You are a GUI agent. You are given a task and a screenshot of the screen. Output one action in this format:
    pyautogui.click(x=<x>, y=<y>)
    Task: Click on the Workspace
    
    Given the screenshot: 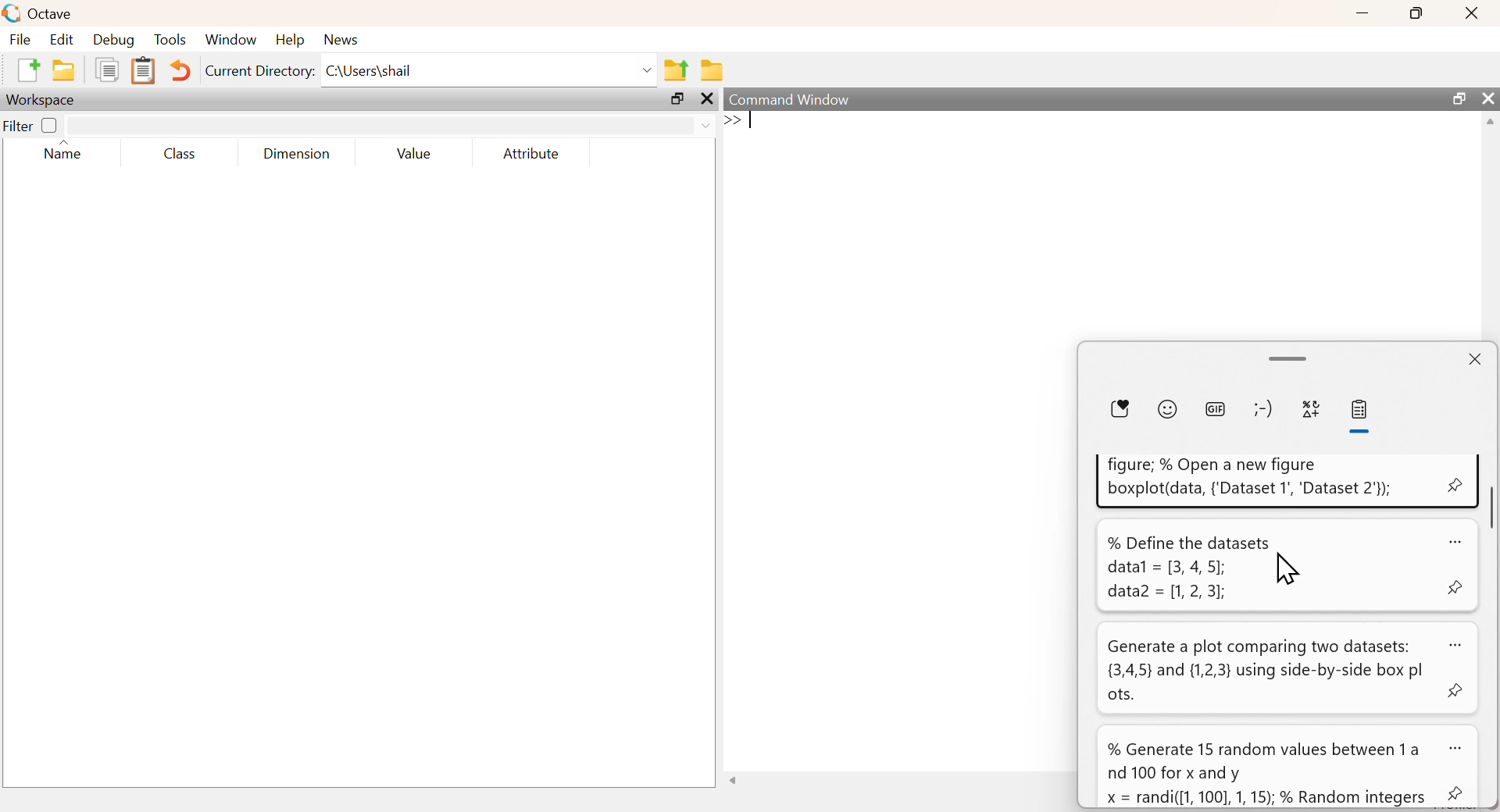 What is the action you would take?
    pyautogui.click(x=43, y=100)
    